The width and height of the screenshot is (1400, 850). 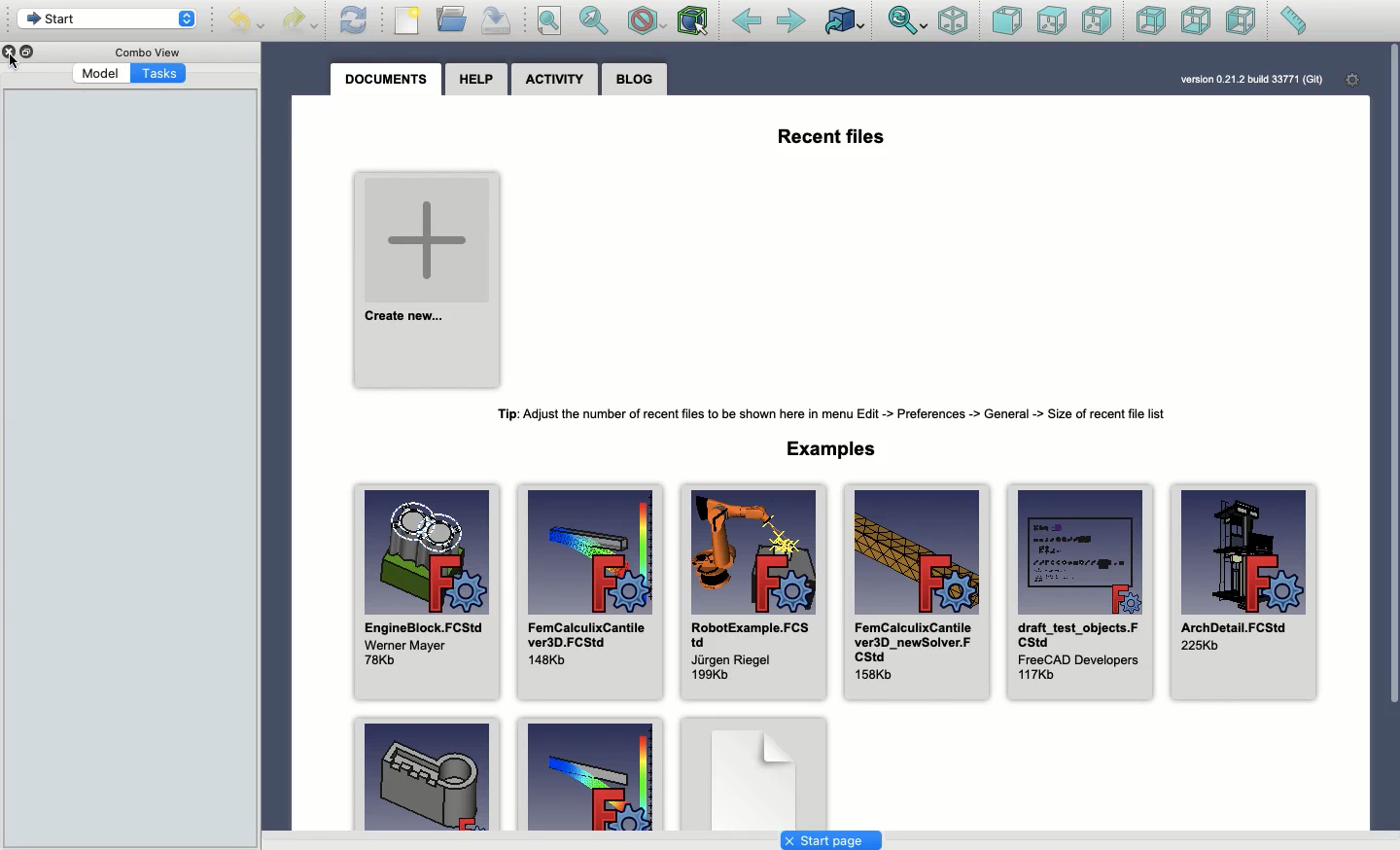 What do you see at coordinates (907, 20) in the screenshot?
I see `Sync view` at bounding box center [907, 20].